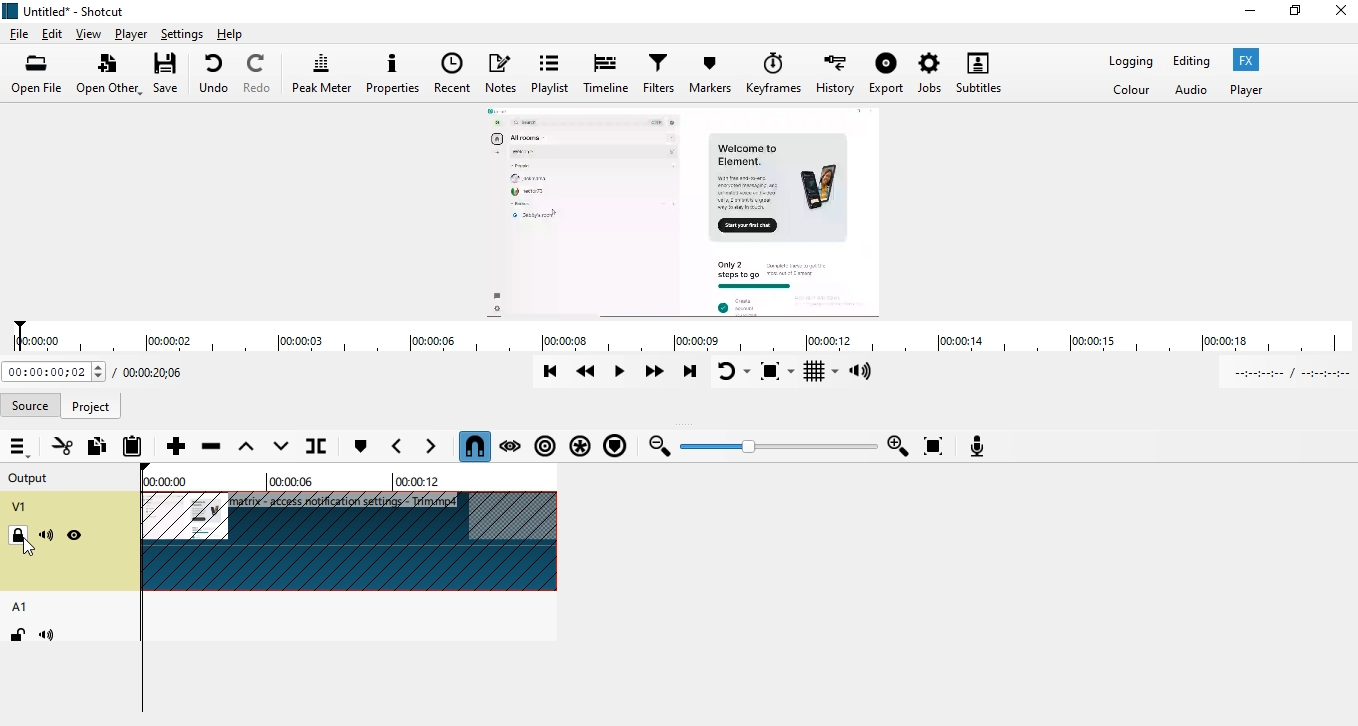 This screenshot has height=726, width=1358. I want to click on locked icon, so click(18, 537).